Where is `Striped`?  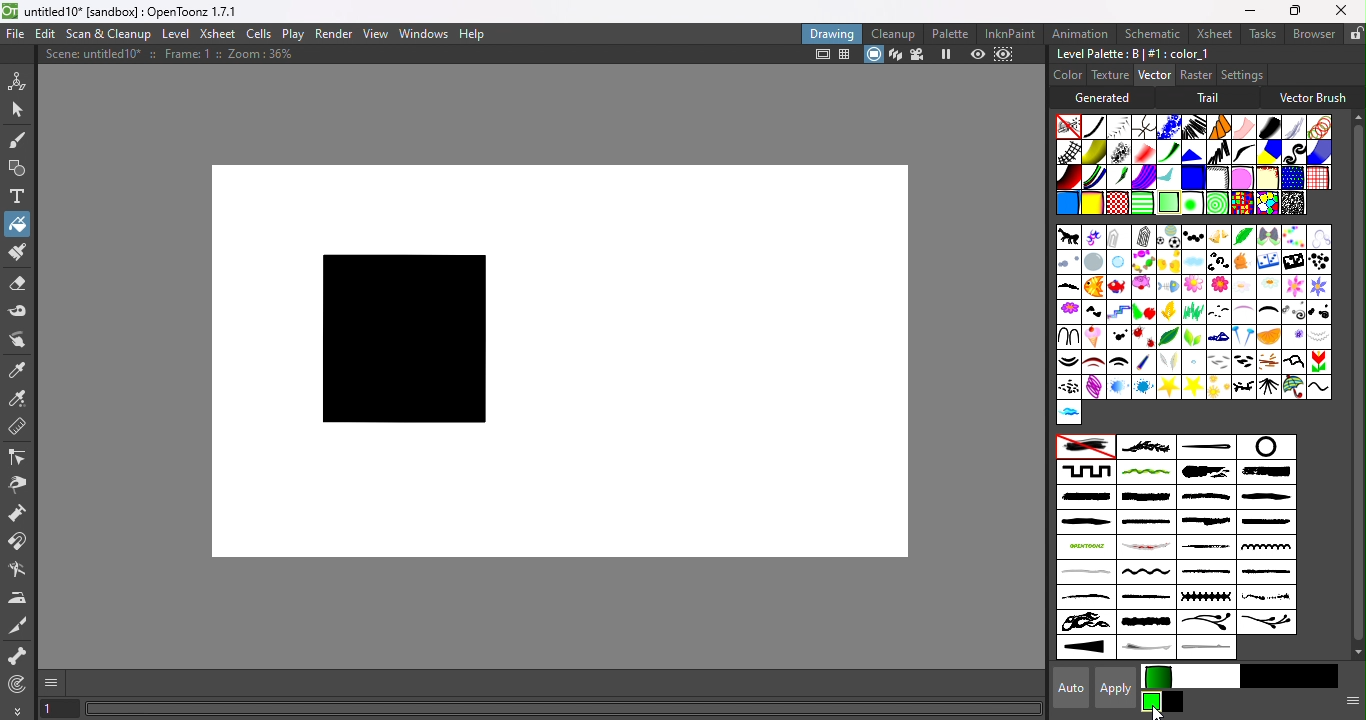
Striped is located at coordinates (1269, 151).